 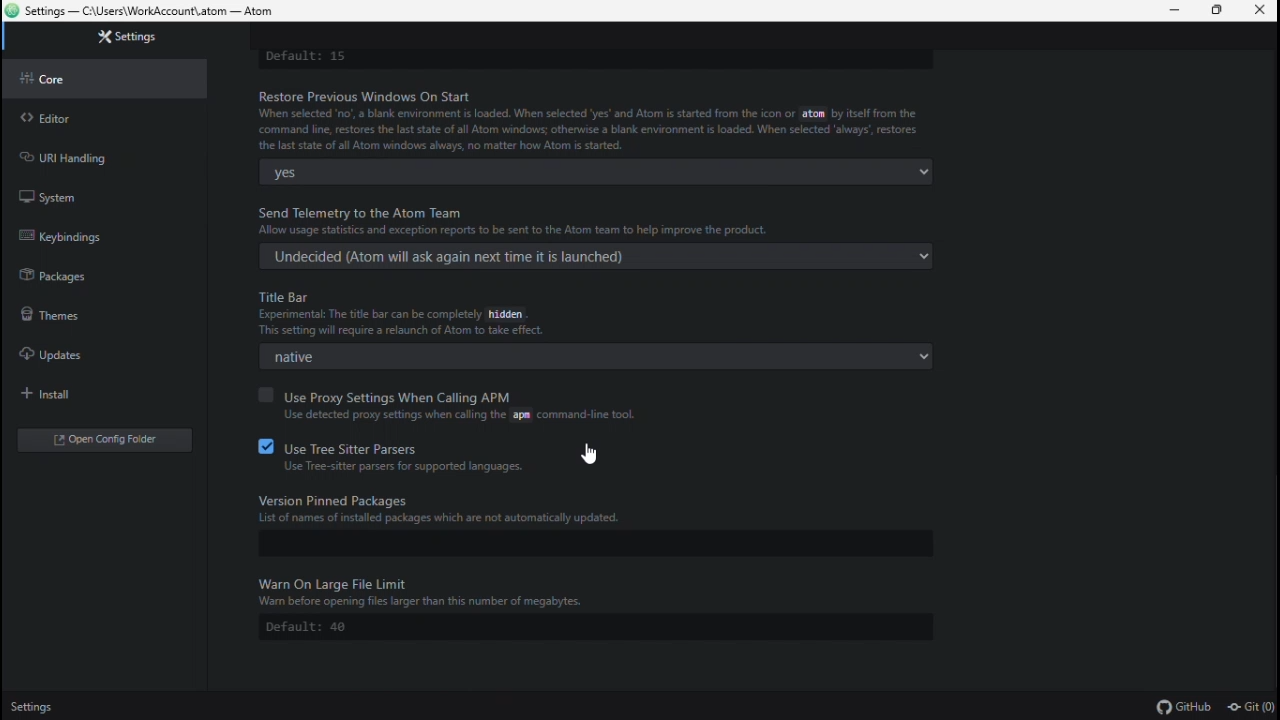 I want to click on default, so click(x=581, y=627).